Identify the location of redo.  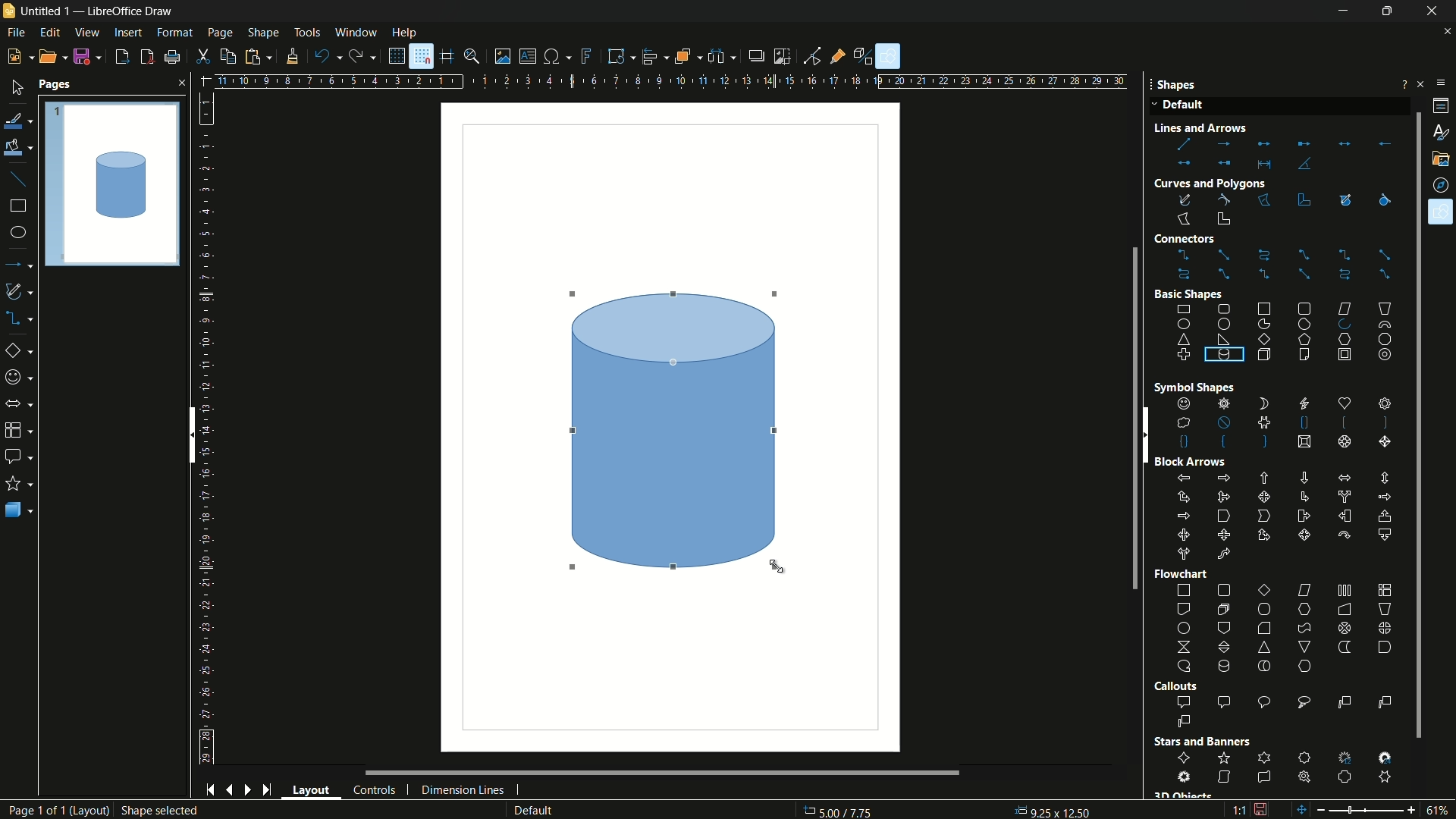
(362, 55).